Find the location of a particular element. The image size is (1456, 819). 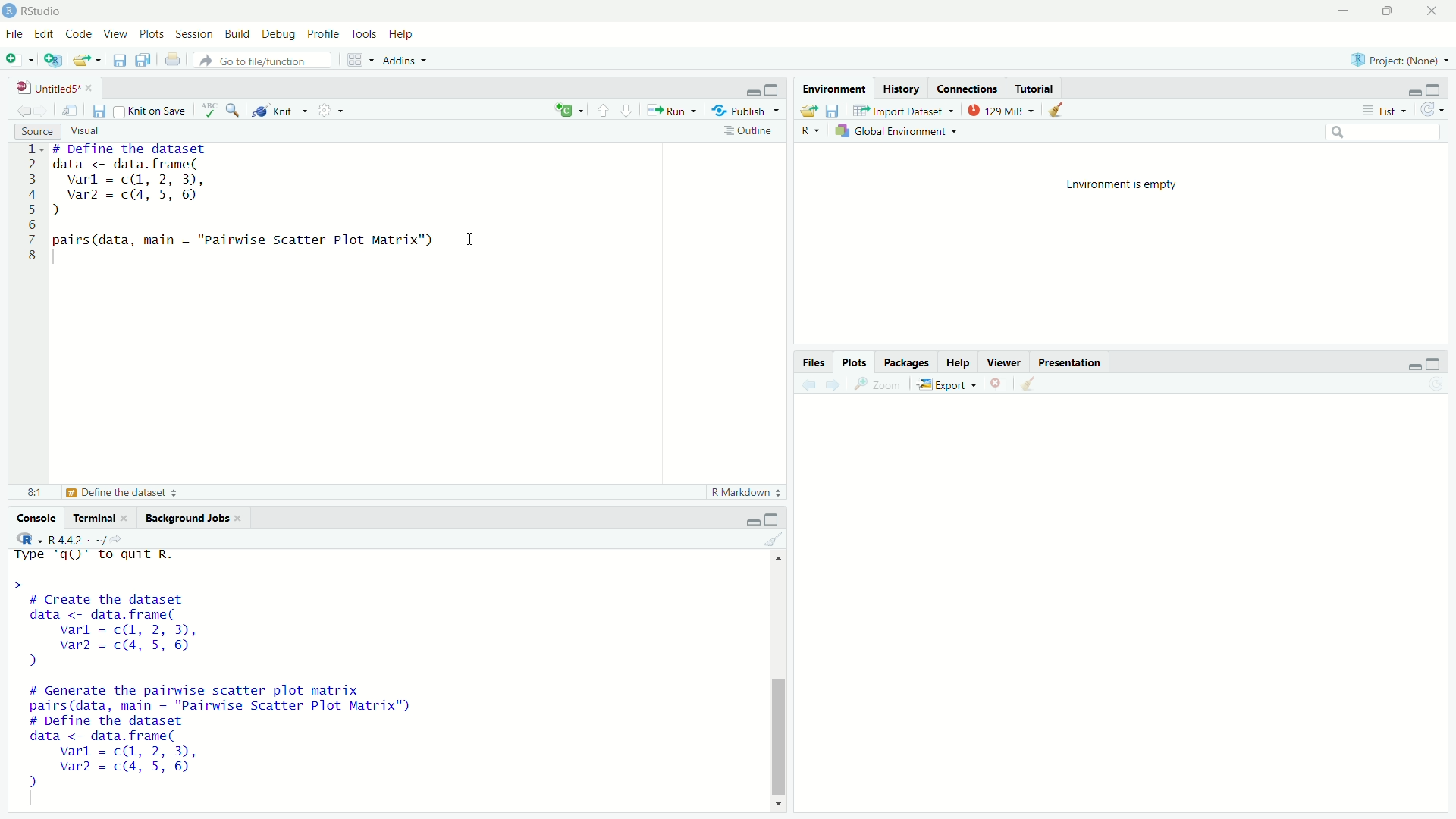

Save workspace as is located at coordinates (833, 108).